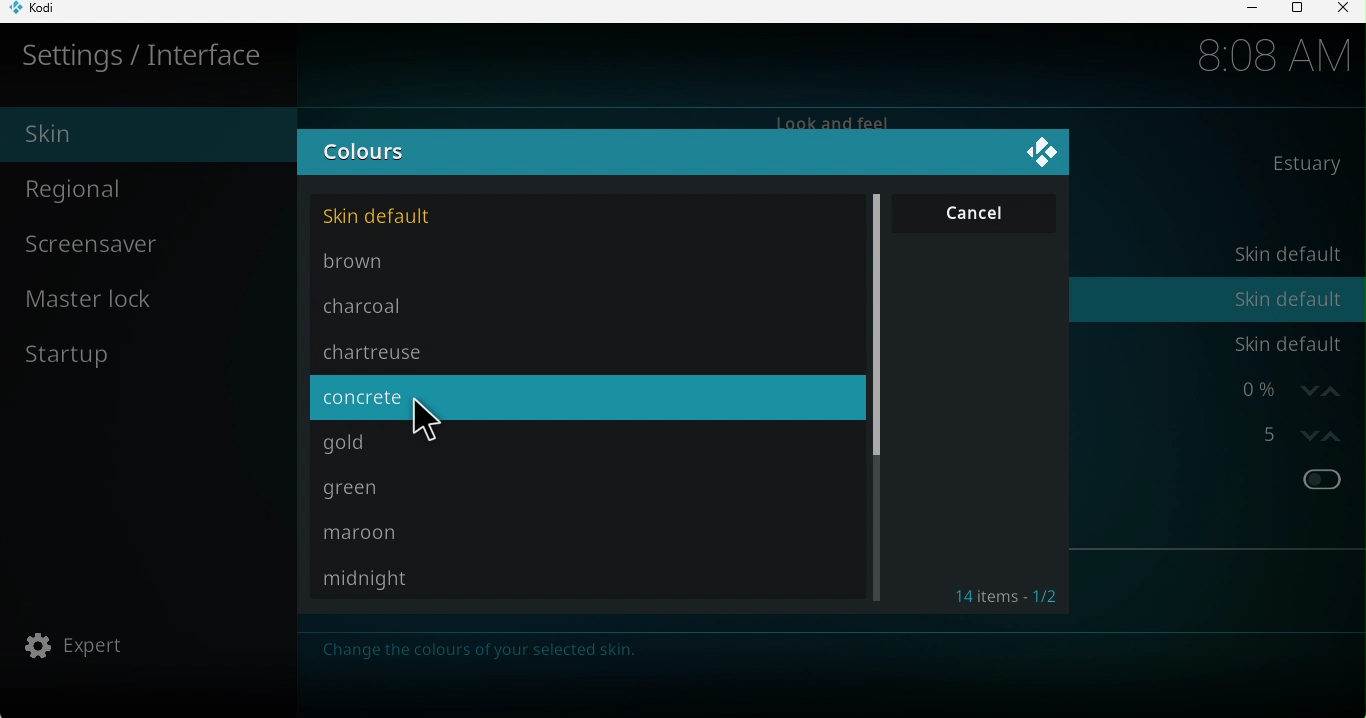  Describe the element at coordinates (1035, 148) in the screenshot. I see `Close` at that location.